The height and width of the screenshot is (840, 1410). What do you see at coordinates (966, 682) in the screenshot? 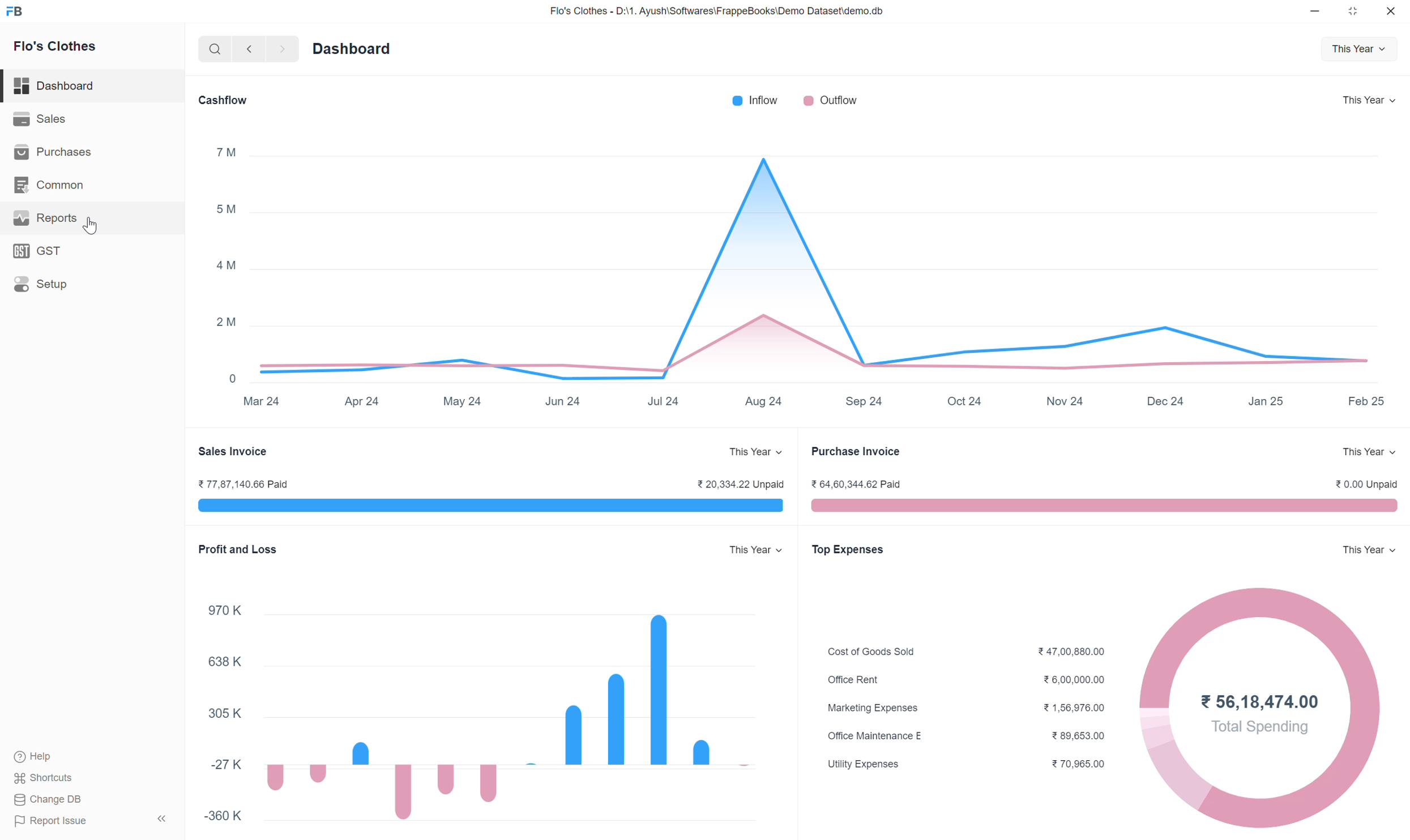
I see `Office Rent ¥6,00,000.00` at bounding box center [966, 682].